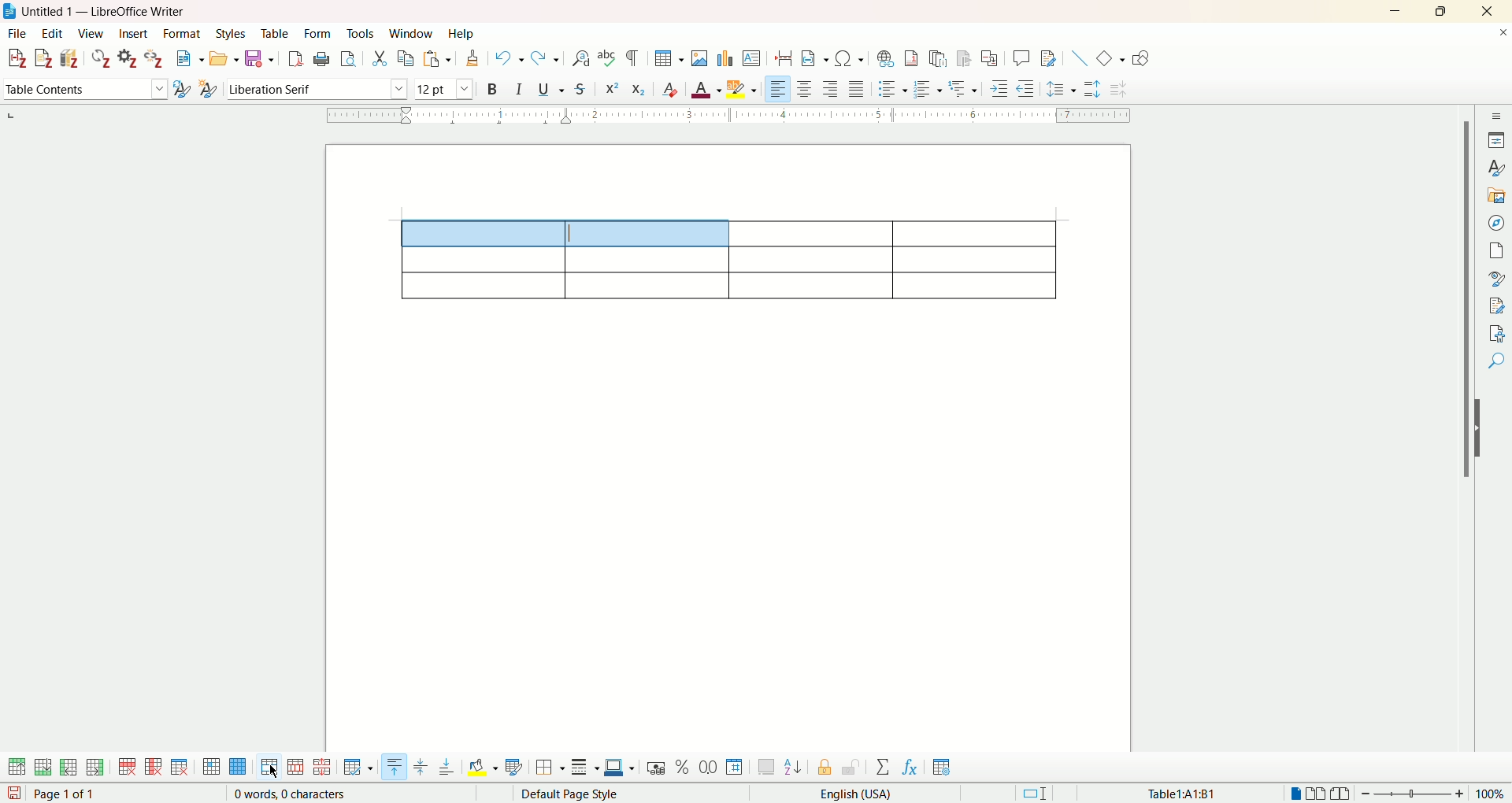  What do you see at coordinates (1498, 117) in the screenshot?
I see `sidebar` at bounding box center [1498, 117].